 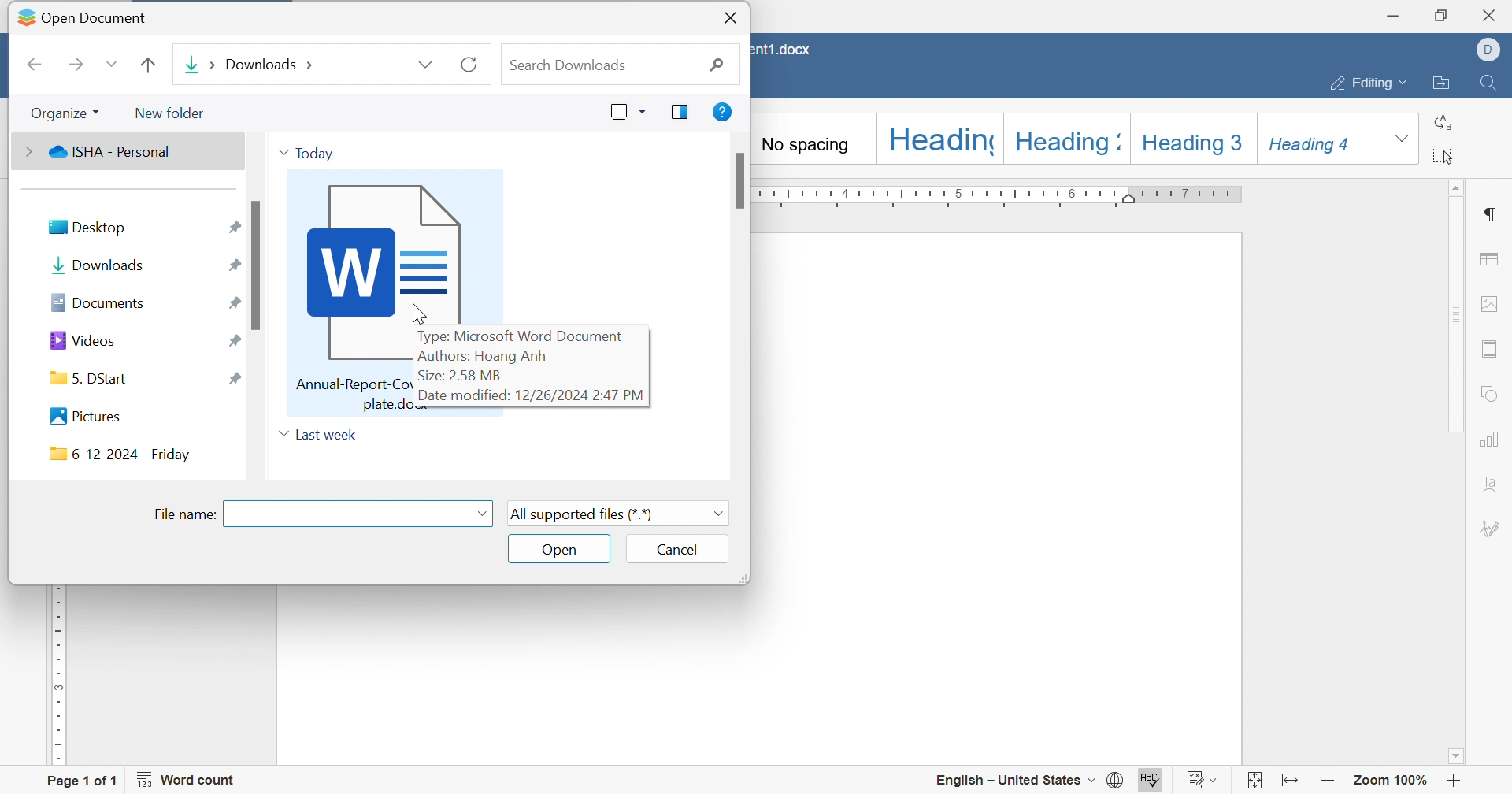 What do you see at coordinates (1294, 783) in the screenshot?
I see `fit to width` at bounding box center [1294, 783].